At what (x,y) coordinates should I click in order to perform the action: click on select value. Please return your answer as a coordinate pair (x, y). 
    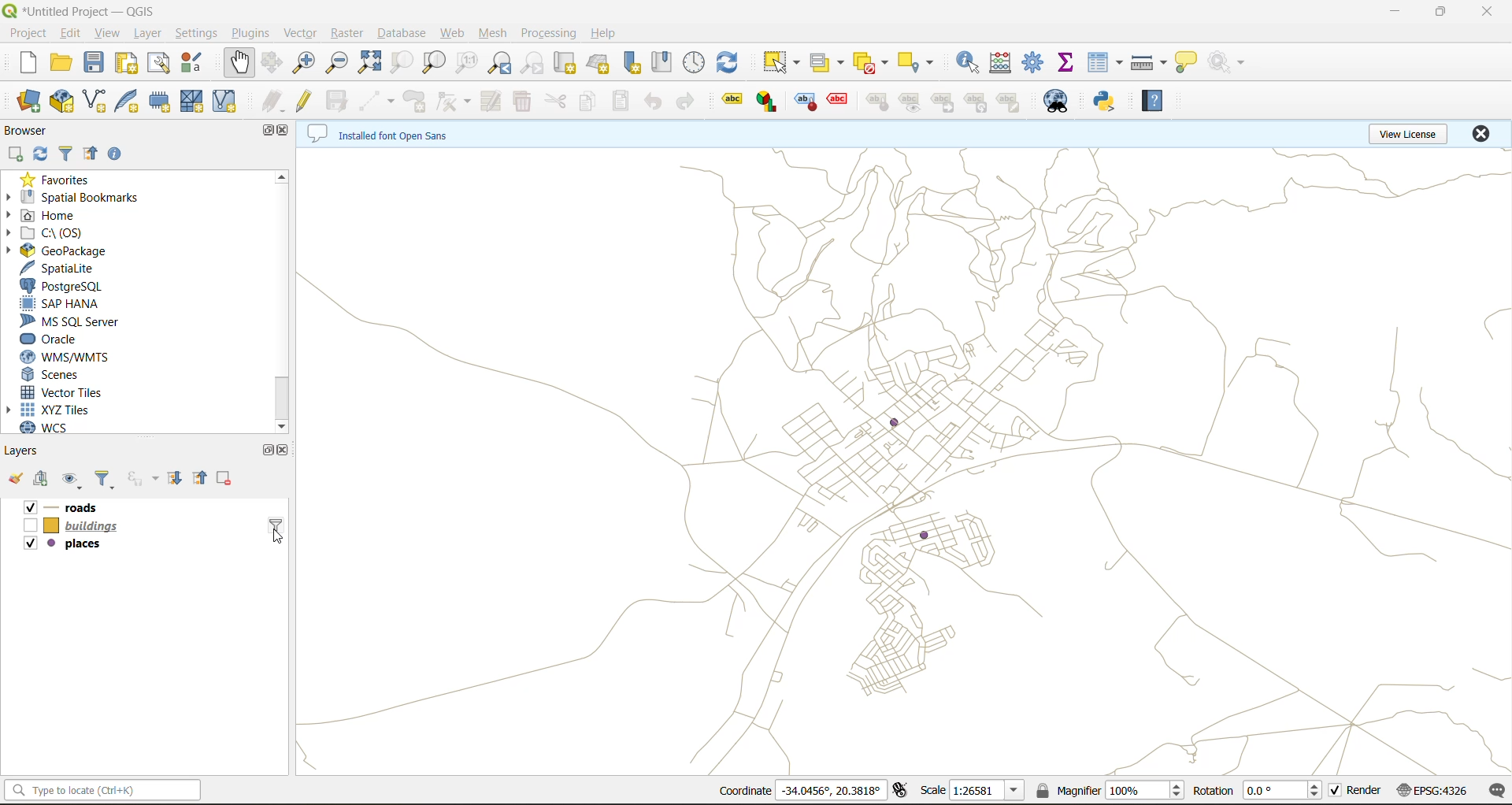
    Looking at the image, I should click on (828, 63).